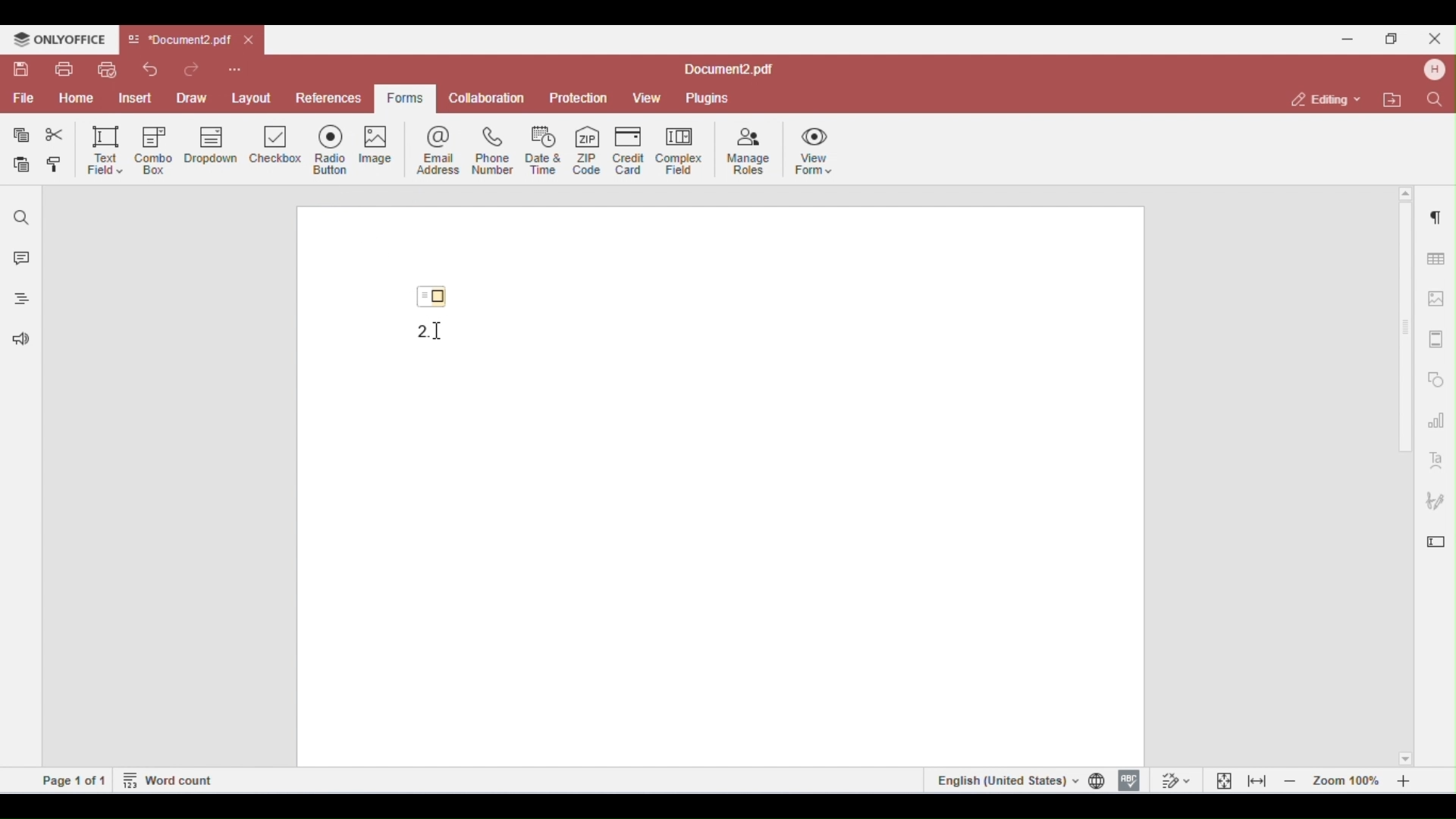  What do you see at coordinates (544, 149) in the screenshot?
I see `date and time` at bounding box center [544, 149].